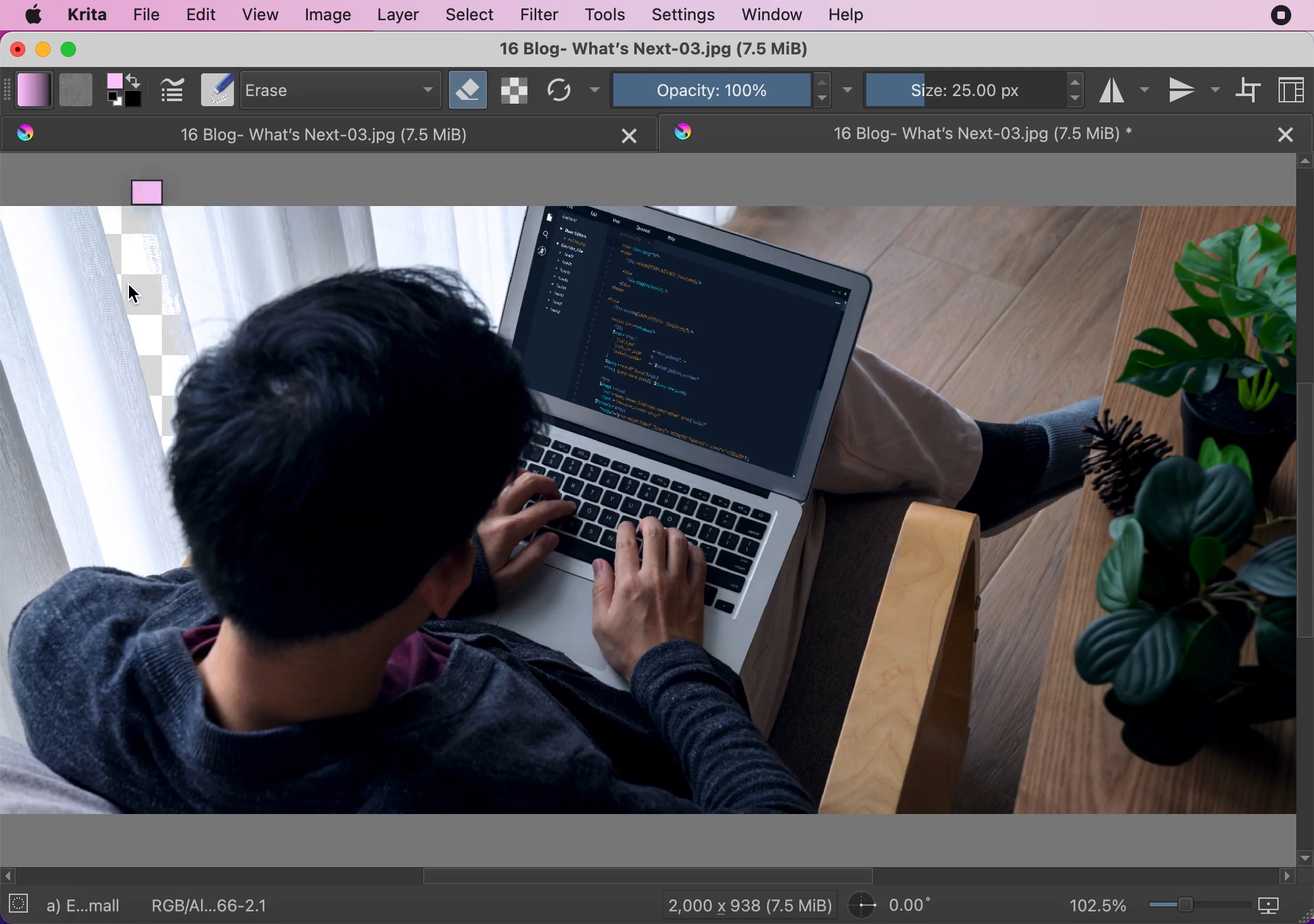  Describe the element at coordinates (1191, 90) in the screenshot. I see `vertical mirror tool` at that location.